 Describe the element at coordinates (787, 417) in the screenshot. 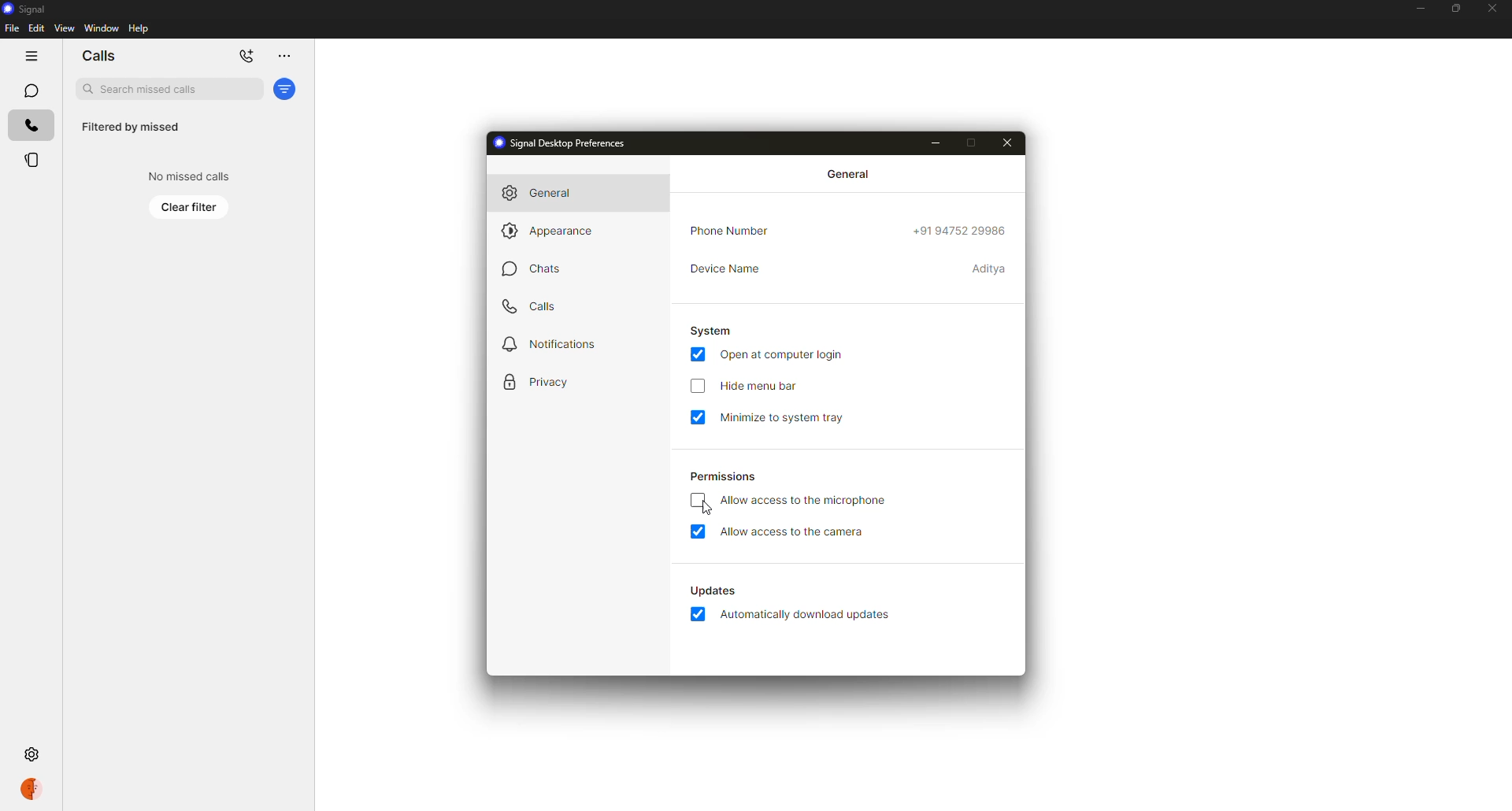

I see `minimize to system tray` at that location.